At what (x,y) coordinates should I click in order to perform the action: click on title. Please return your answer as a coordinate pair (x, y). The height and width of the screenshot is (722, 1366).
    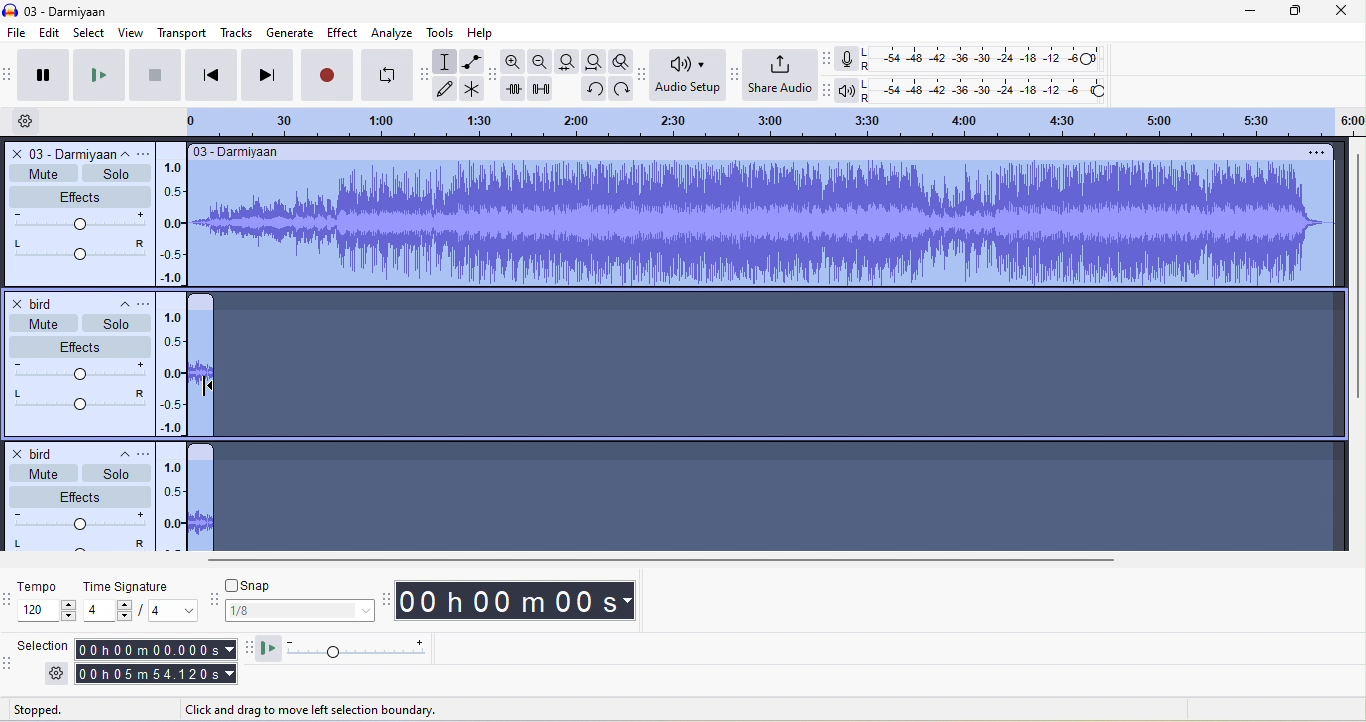
    Looking at the image, I should click on (65, 10).